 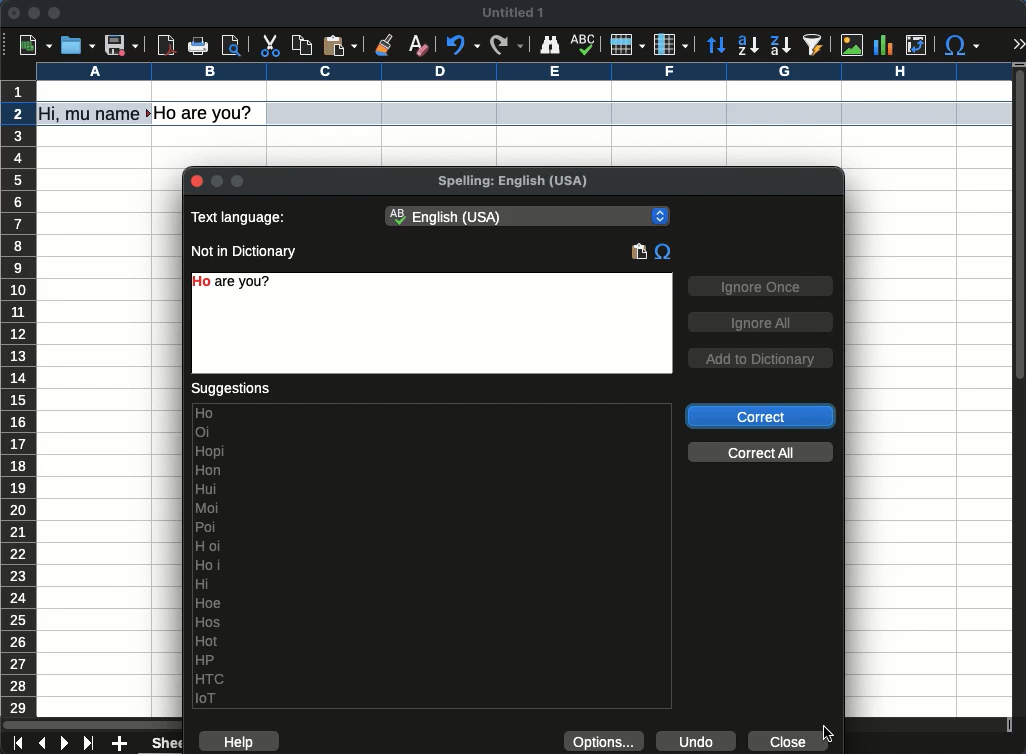 What do you see at coordinates (627, 46) in the screenshot?
I see `row` at bounding box center [627, 46].